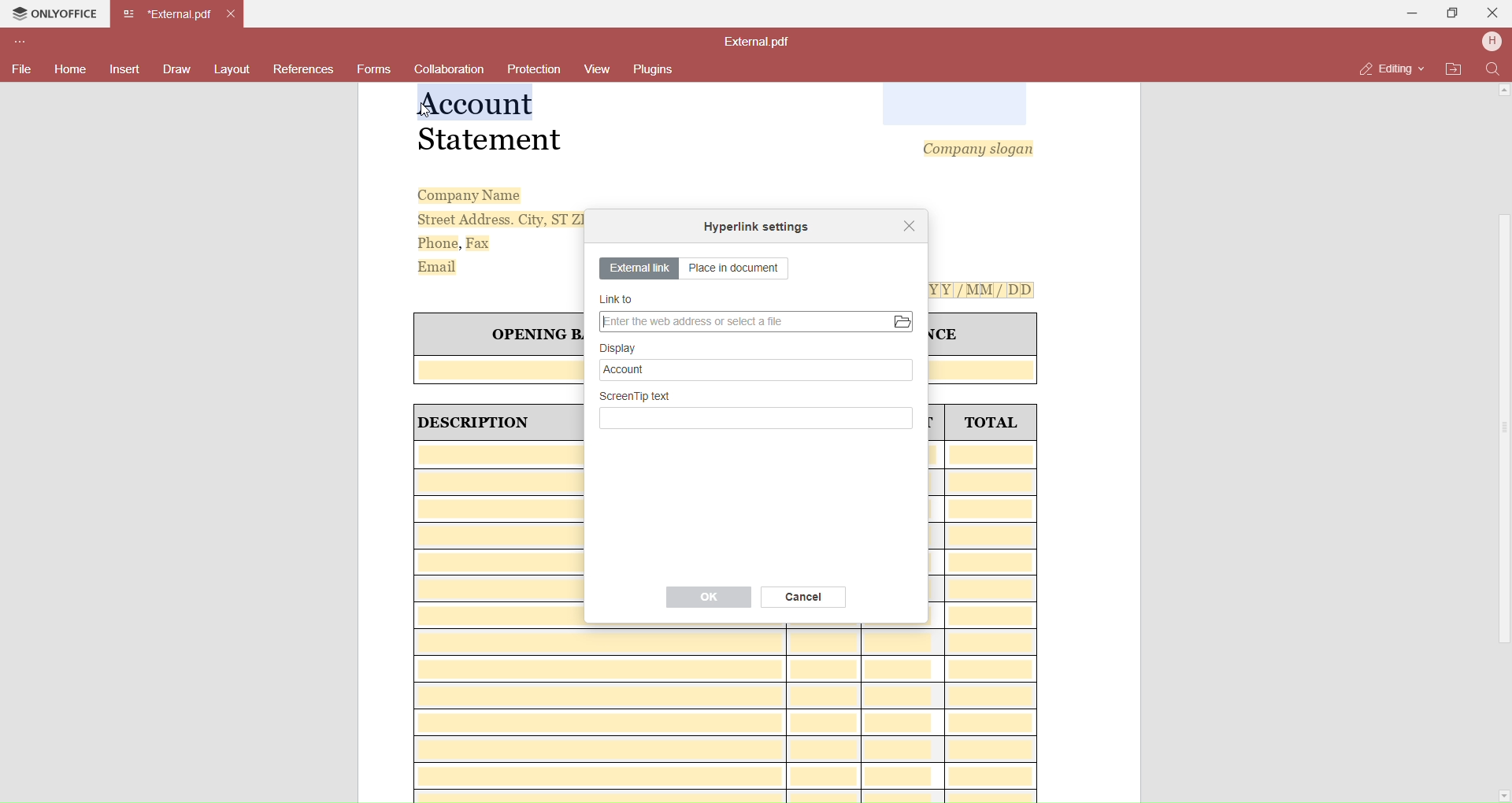  What do you see at coordinates (442, 265) in the screenshot?
I see `Email` at bounding box center [442, 265].